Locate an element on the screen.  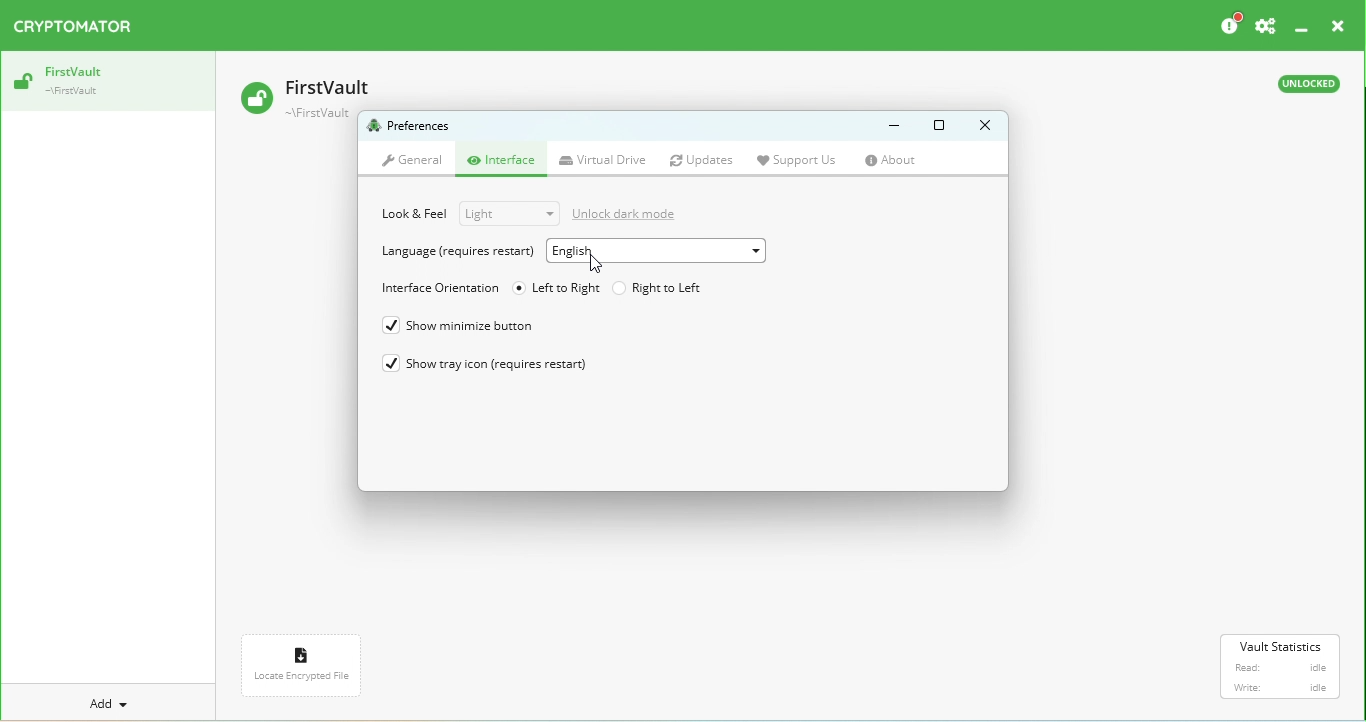
Vault is located at coordinates (312, 93).